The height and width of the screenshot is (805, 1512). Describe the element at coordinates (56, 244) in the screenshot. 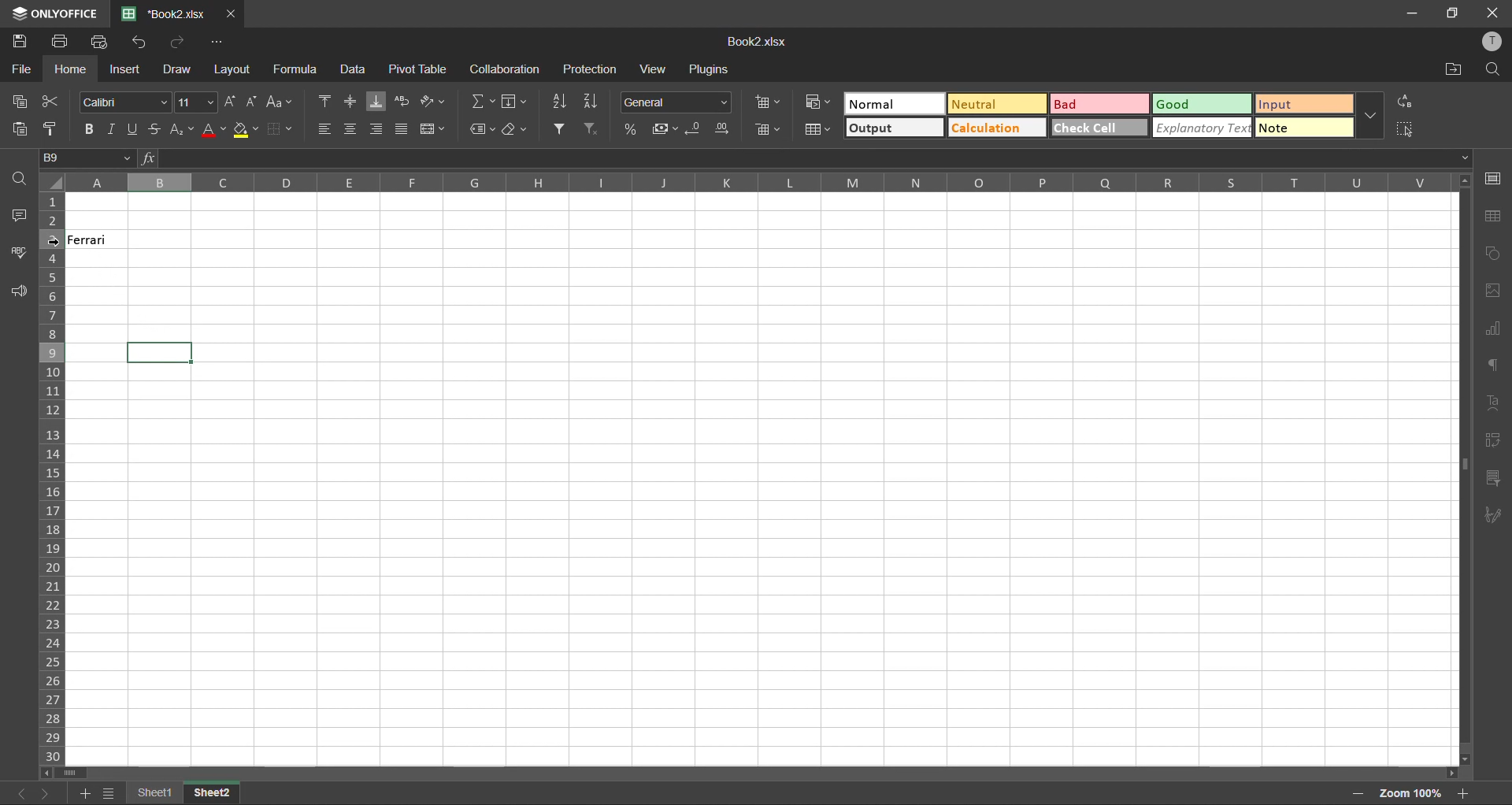

I see `cursor` at that location.